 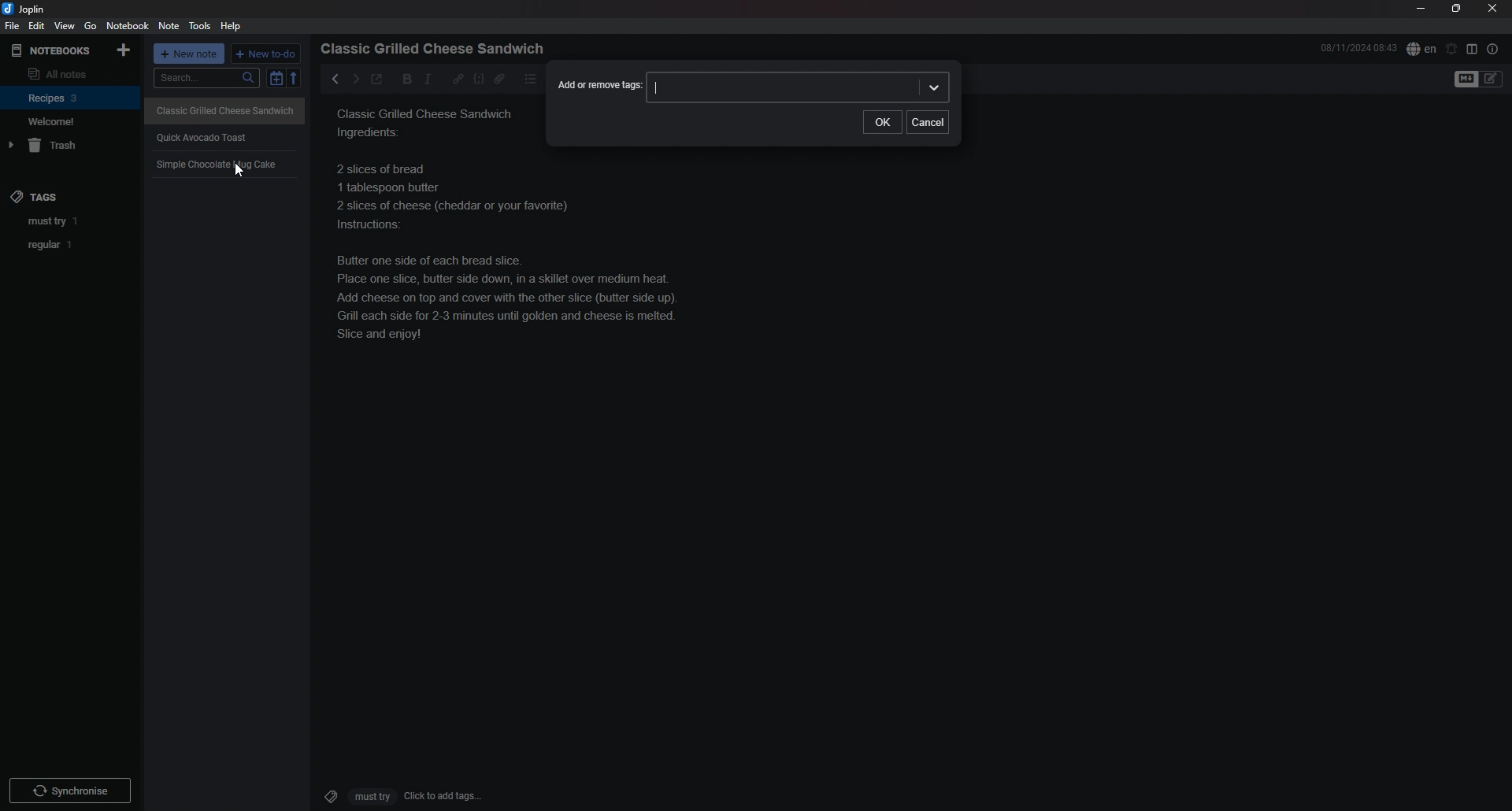 What do you see at coordinates (232, 25) in the screenshot?
I see `Help` at bounding box center [232, 25].